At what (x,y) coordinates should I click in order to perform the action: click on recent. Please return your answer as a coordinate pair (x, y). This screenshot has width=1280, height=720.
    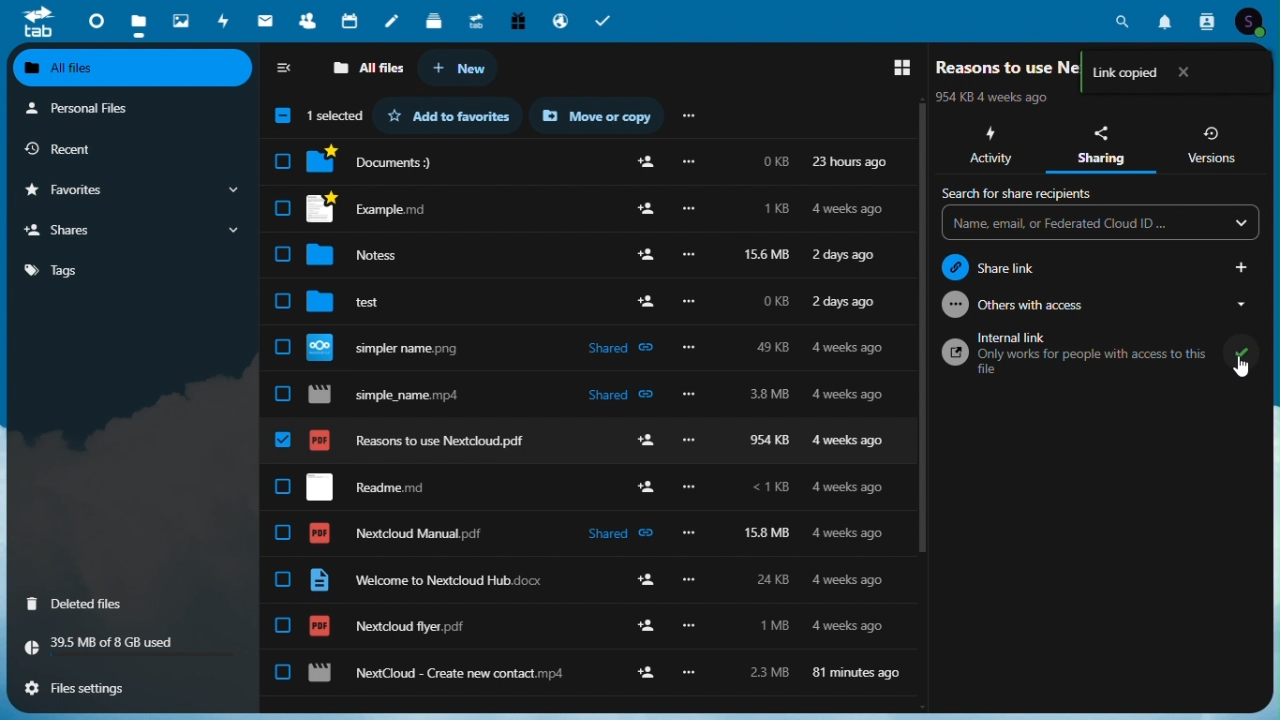
    Looking at the image, I should click on (130, 149).